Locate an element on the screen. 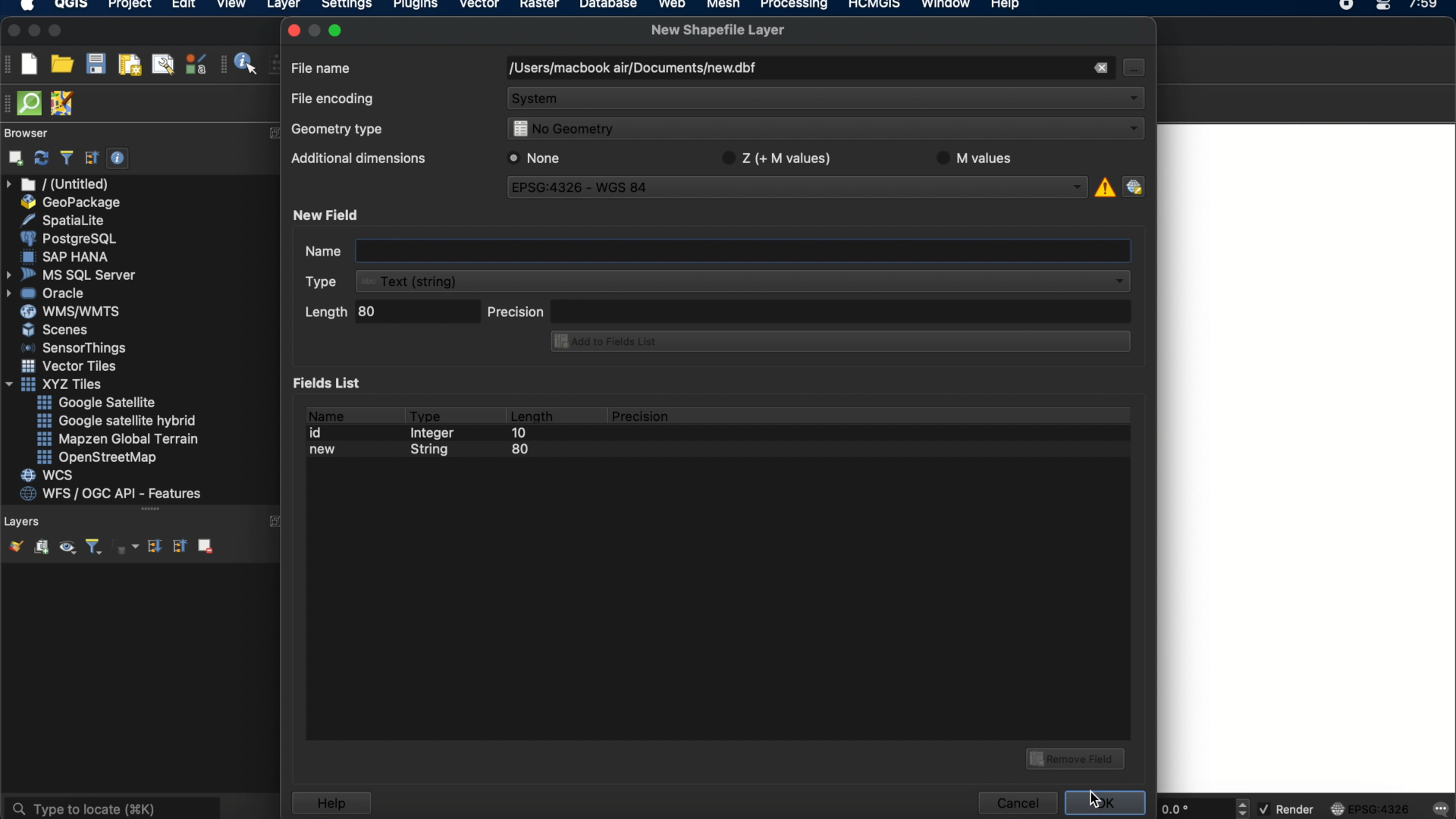 The image size is (1456, 819). add selected layers is located at coordinates (13, 158).